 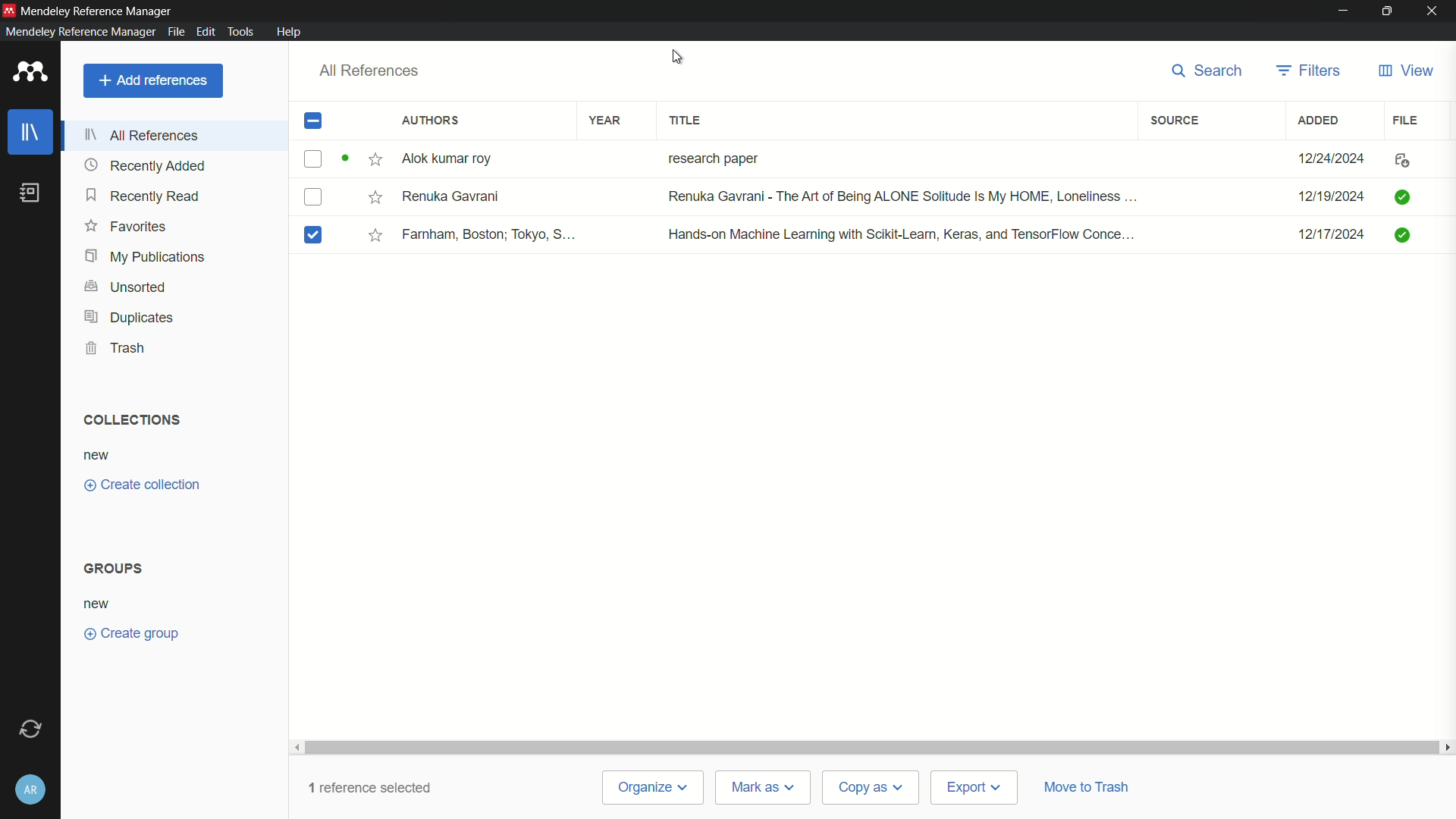 What do you see at coordinates (369, 71) in the screenshot?
I see `all references` at bounding box center [369, 71].